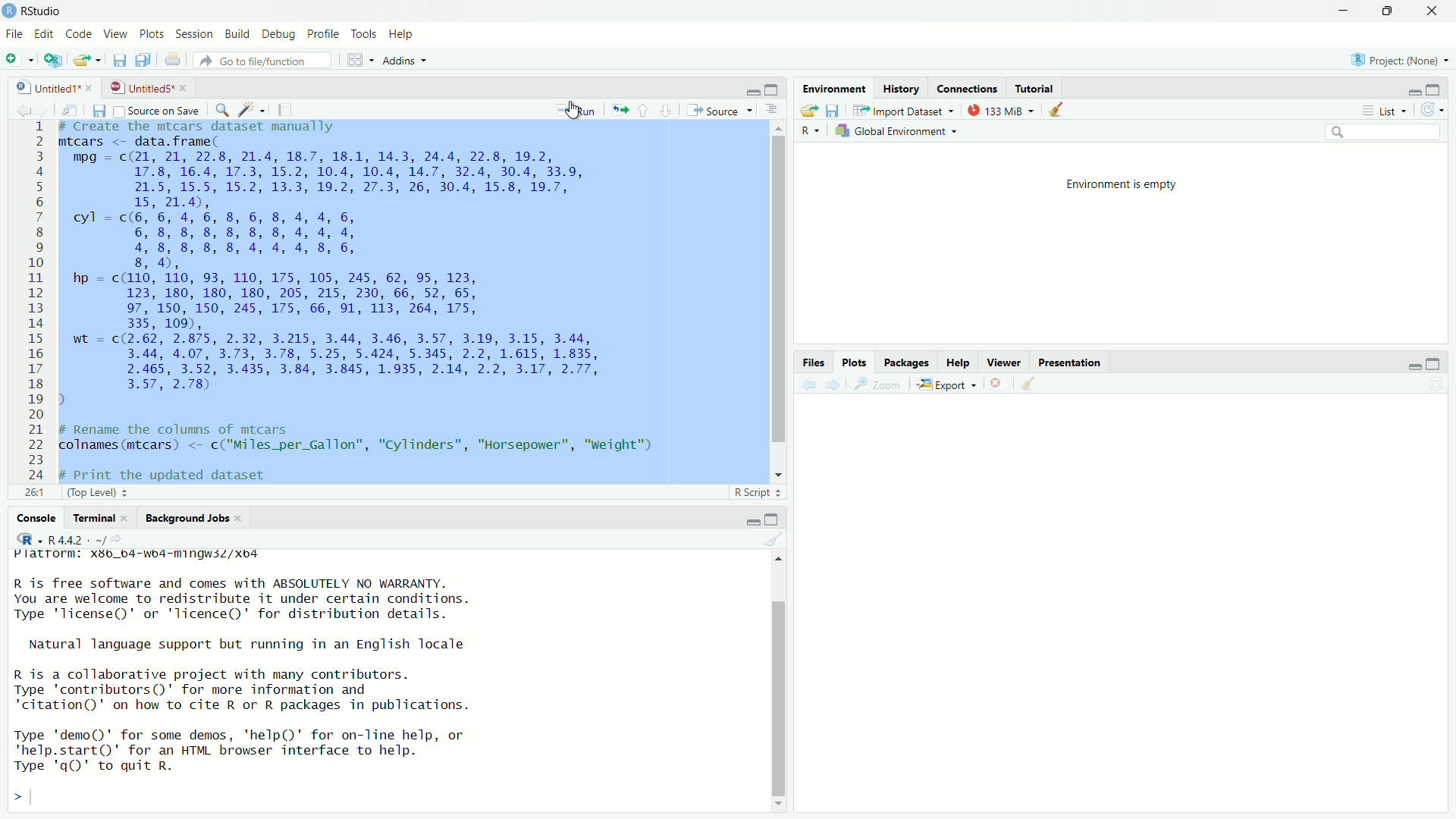 The height and width of the screenshot is (819, 1456). What do you see at coordinates (1123, 183) in the screenshot?
I see `Environment is empty` at bounding box center [1123, 183].